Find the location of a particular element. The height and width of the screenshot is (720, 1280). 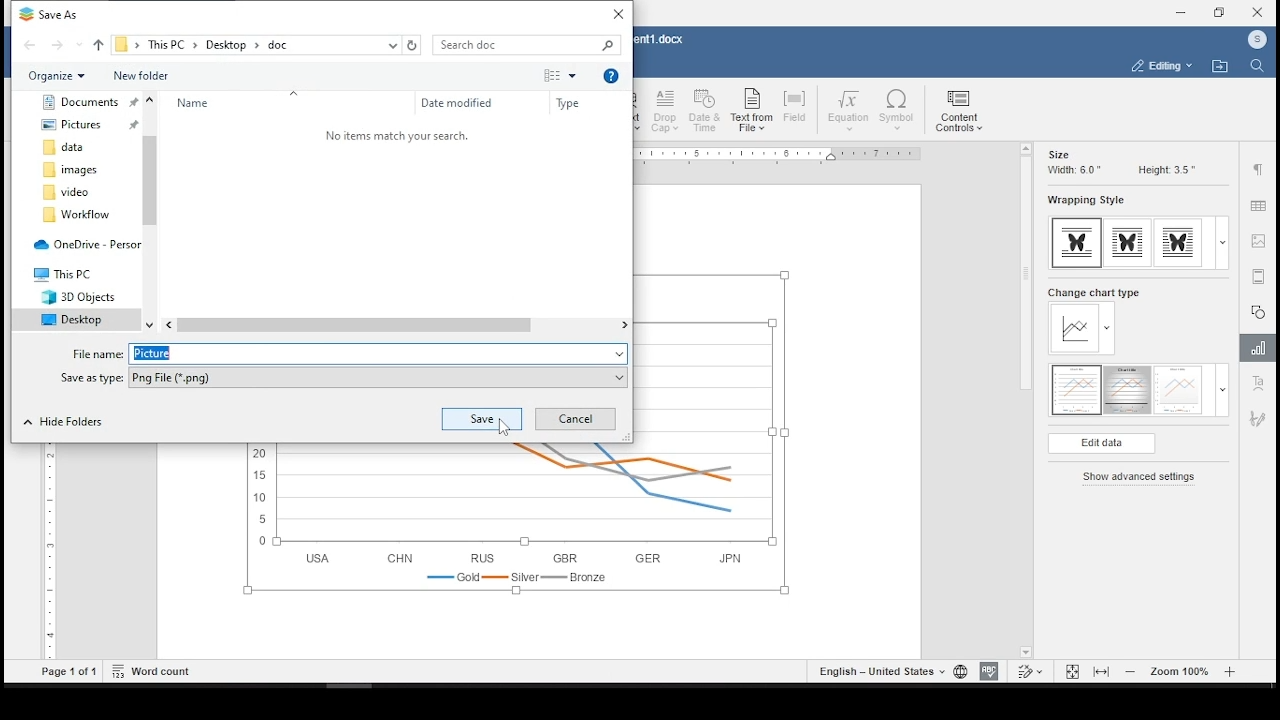

width is located at coordinates (1072, 171).